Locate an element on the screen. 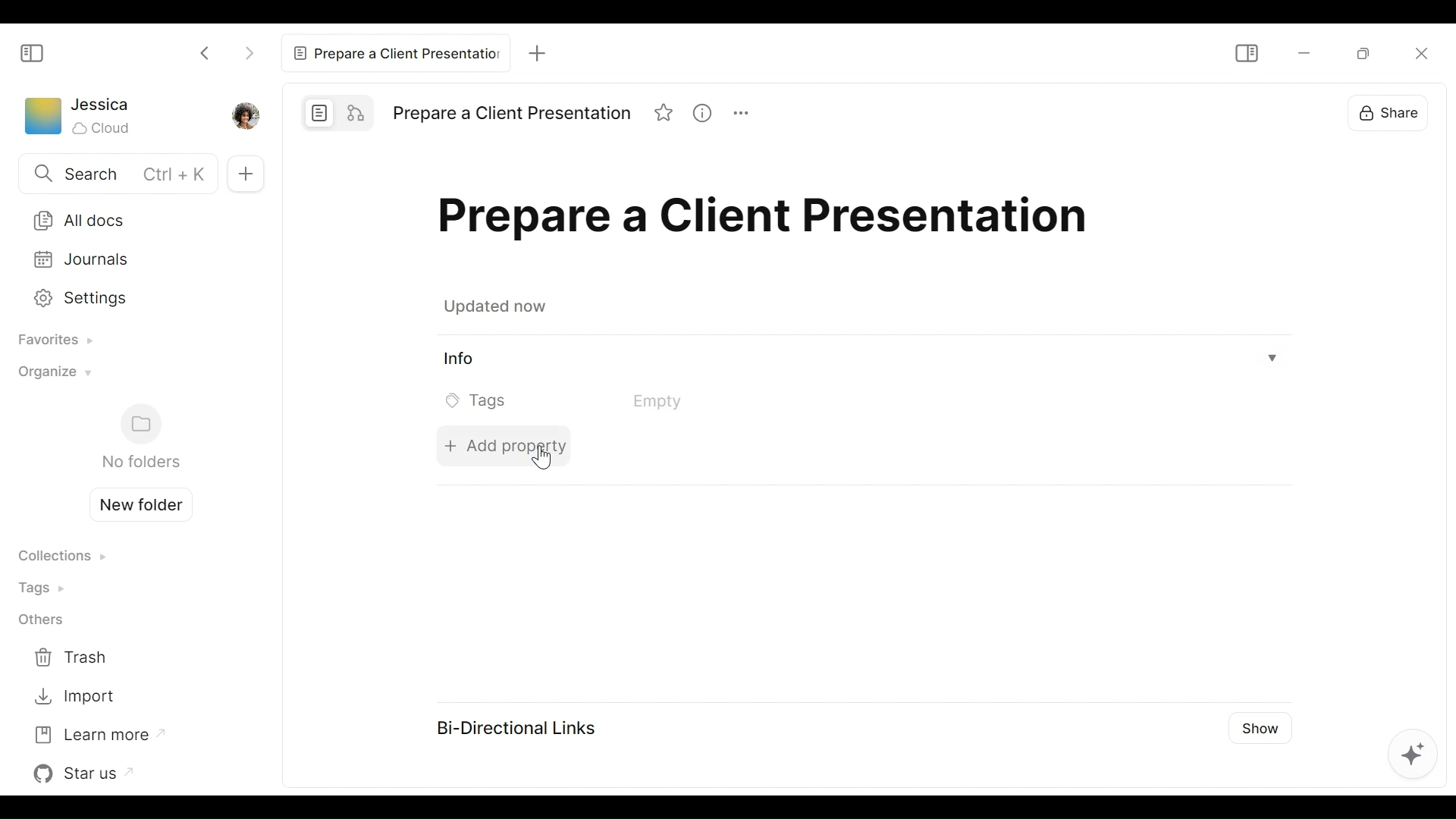 Image resolution: width=1456 pixels, height=819 pixels. Workspace is located at coordinates (42, 119).